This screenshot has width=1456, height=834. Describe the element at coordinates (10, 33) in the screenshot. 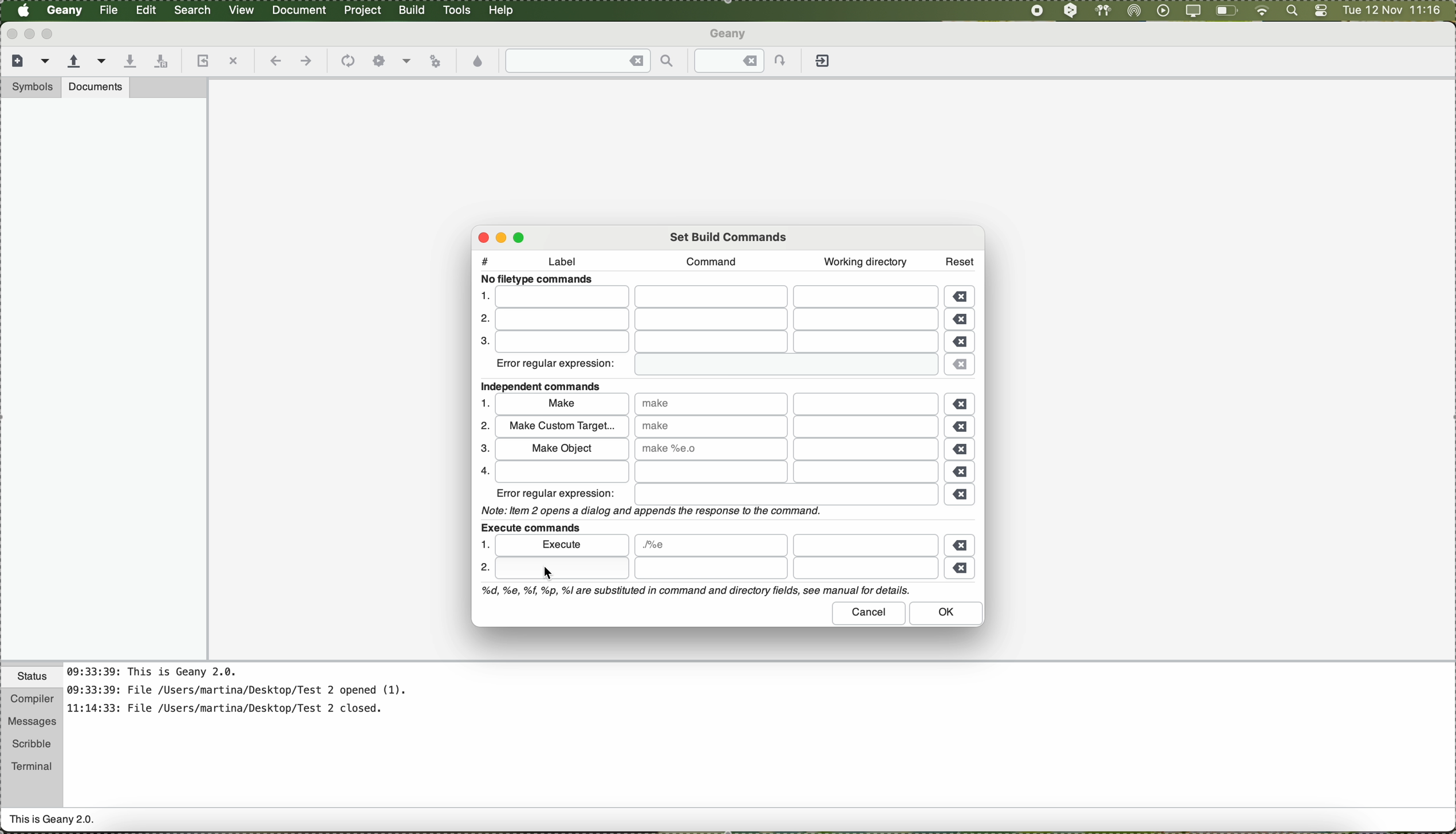

I see `close program` at that location.